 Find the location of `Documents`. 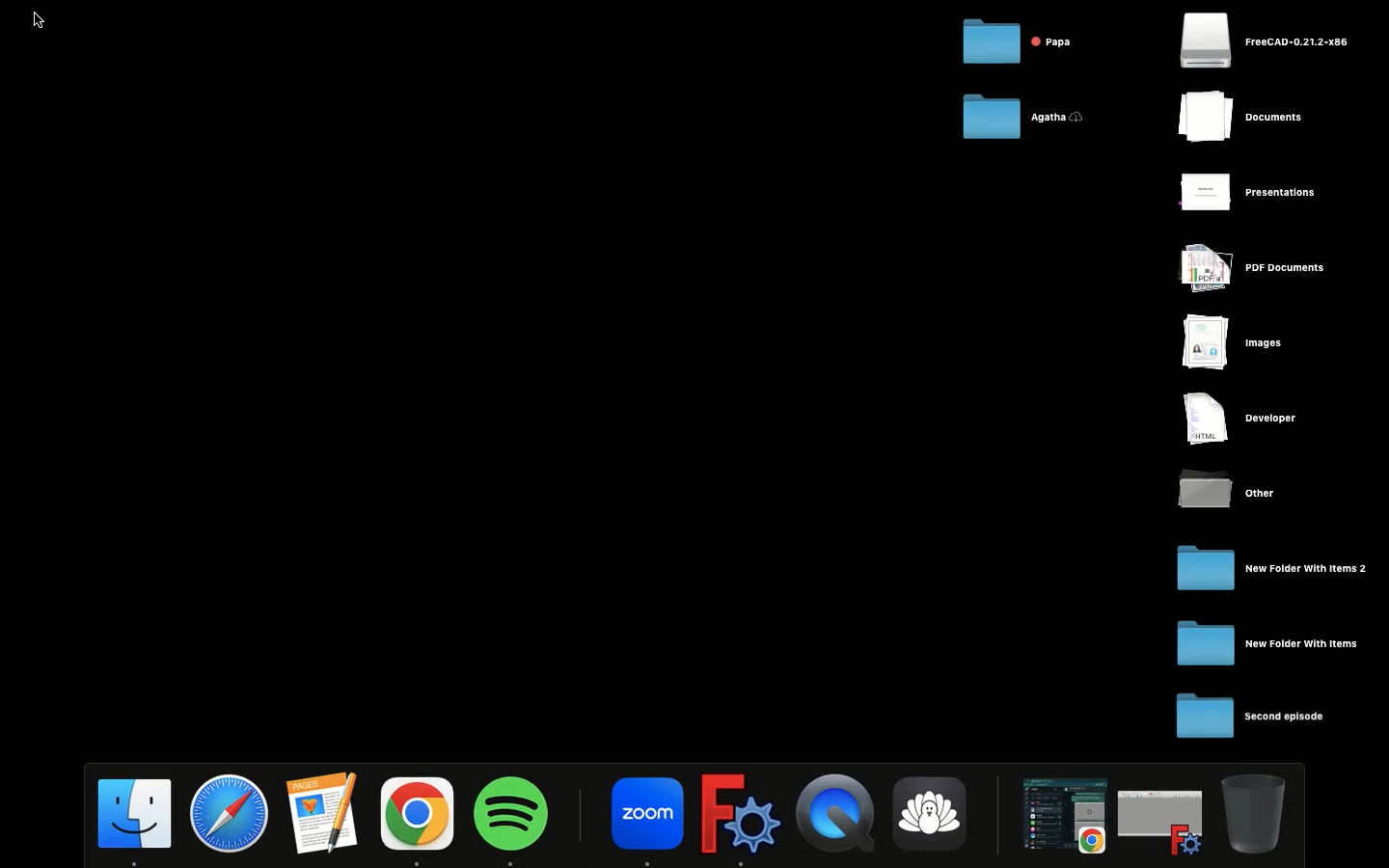

Documents is located at coordinates (1259, 119).